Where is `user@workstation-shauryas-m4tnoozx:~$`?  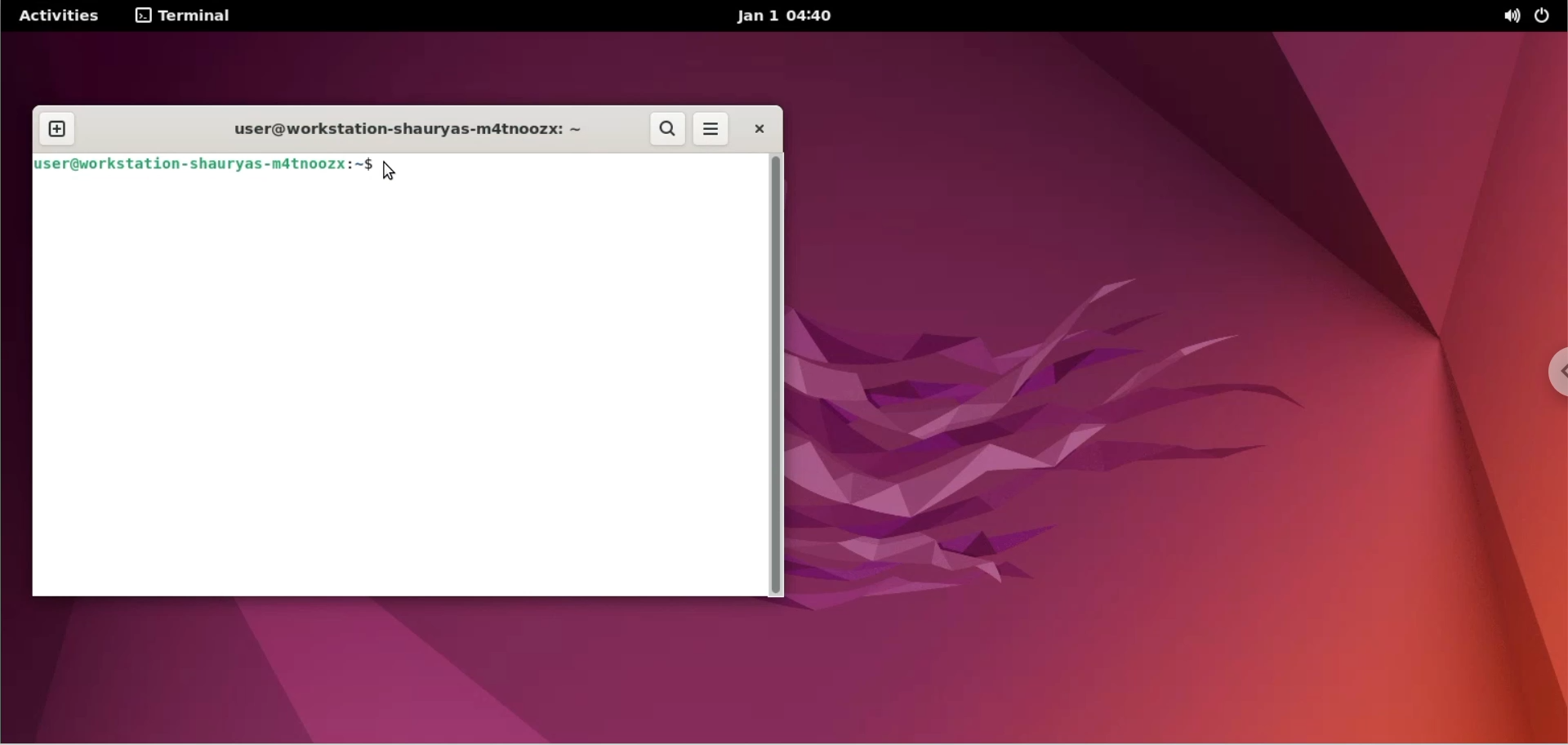 user@workstation-shauryas-m4tnoozx:~$ is located at coordinates (201, 167).